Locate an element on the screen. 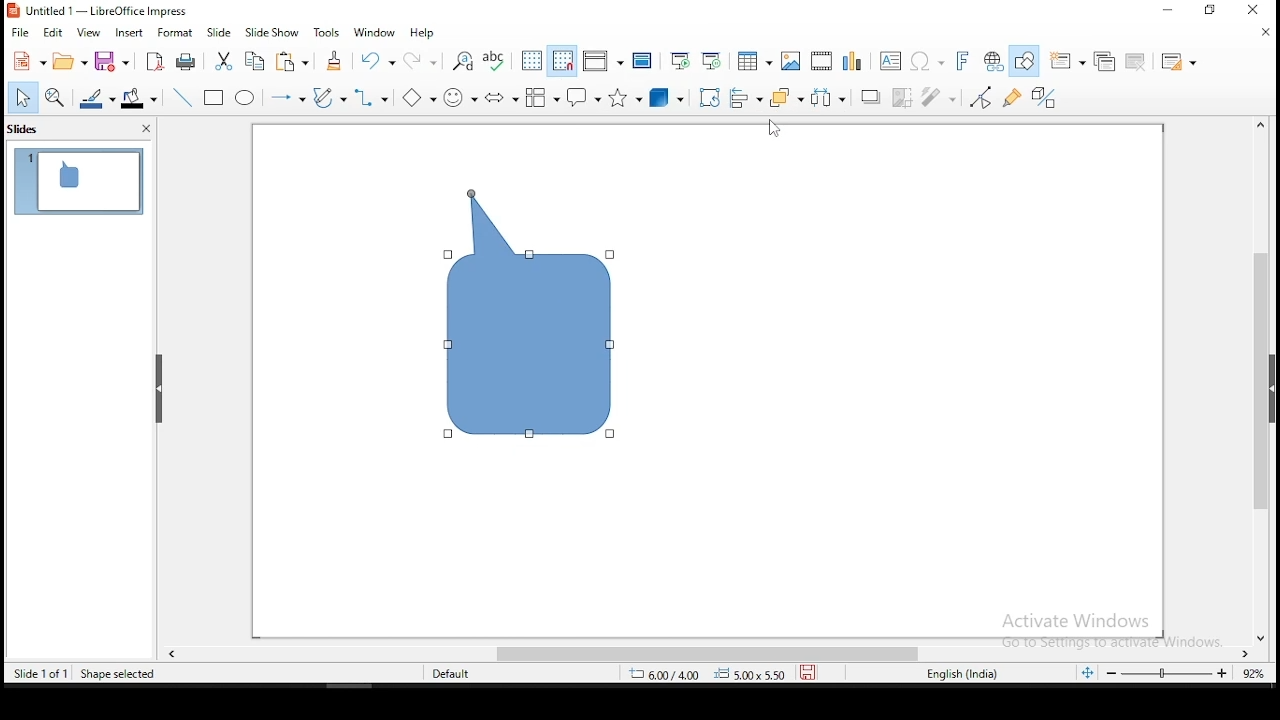 Image resolution: width=1280 pixels, height=720 pixels. 8.80/6.27 is located at coordinates (669, 675).